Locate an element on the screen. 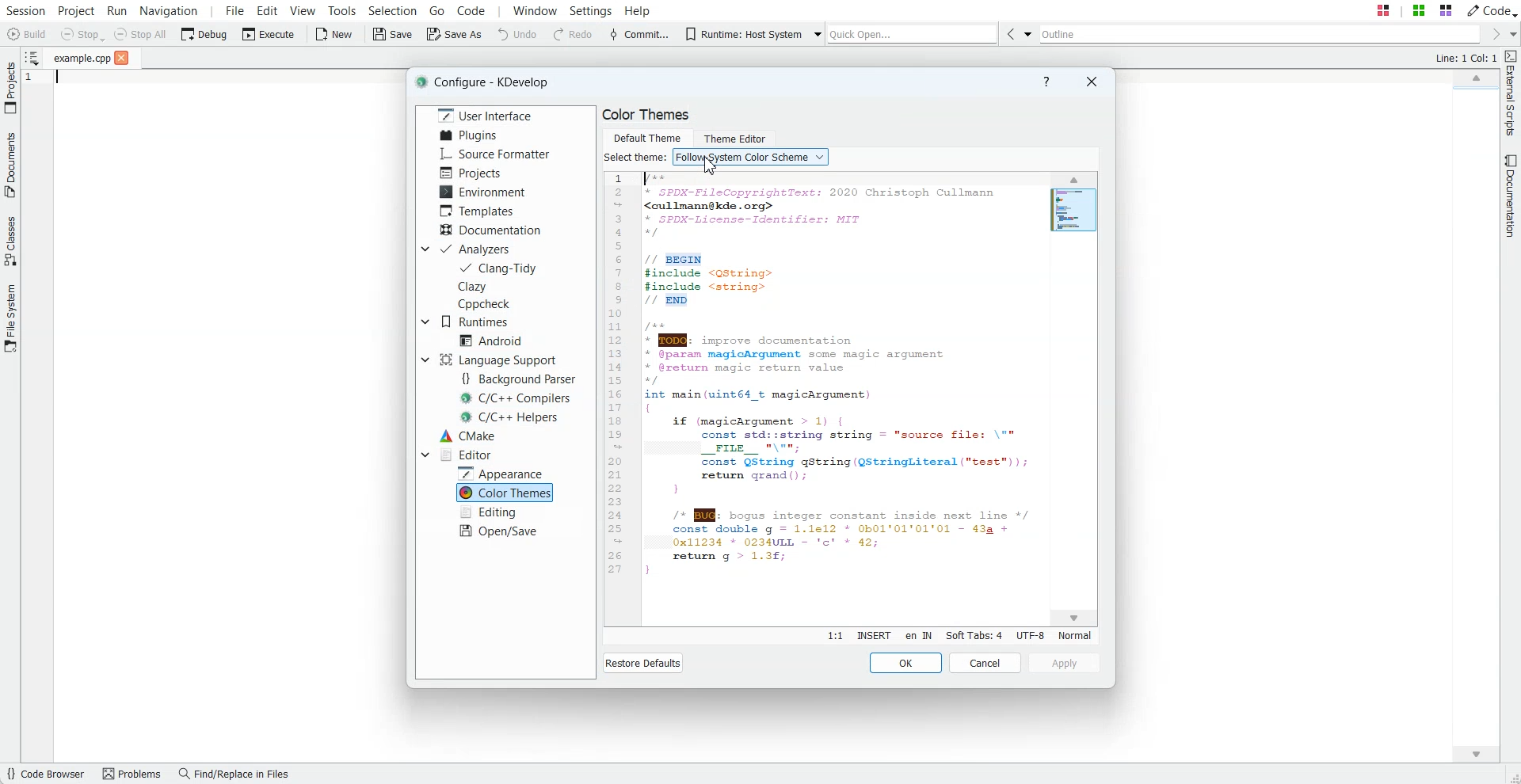 The image size is (1521, 784). Clazy is located at coordinates (488, 286).